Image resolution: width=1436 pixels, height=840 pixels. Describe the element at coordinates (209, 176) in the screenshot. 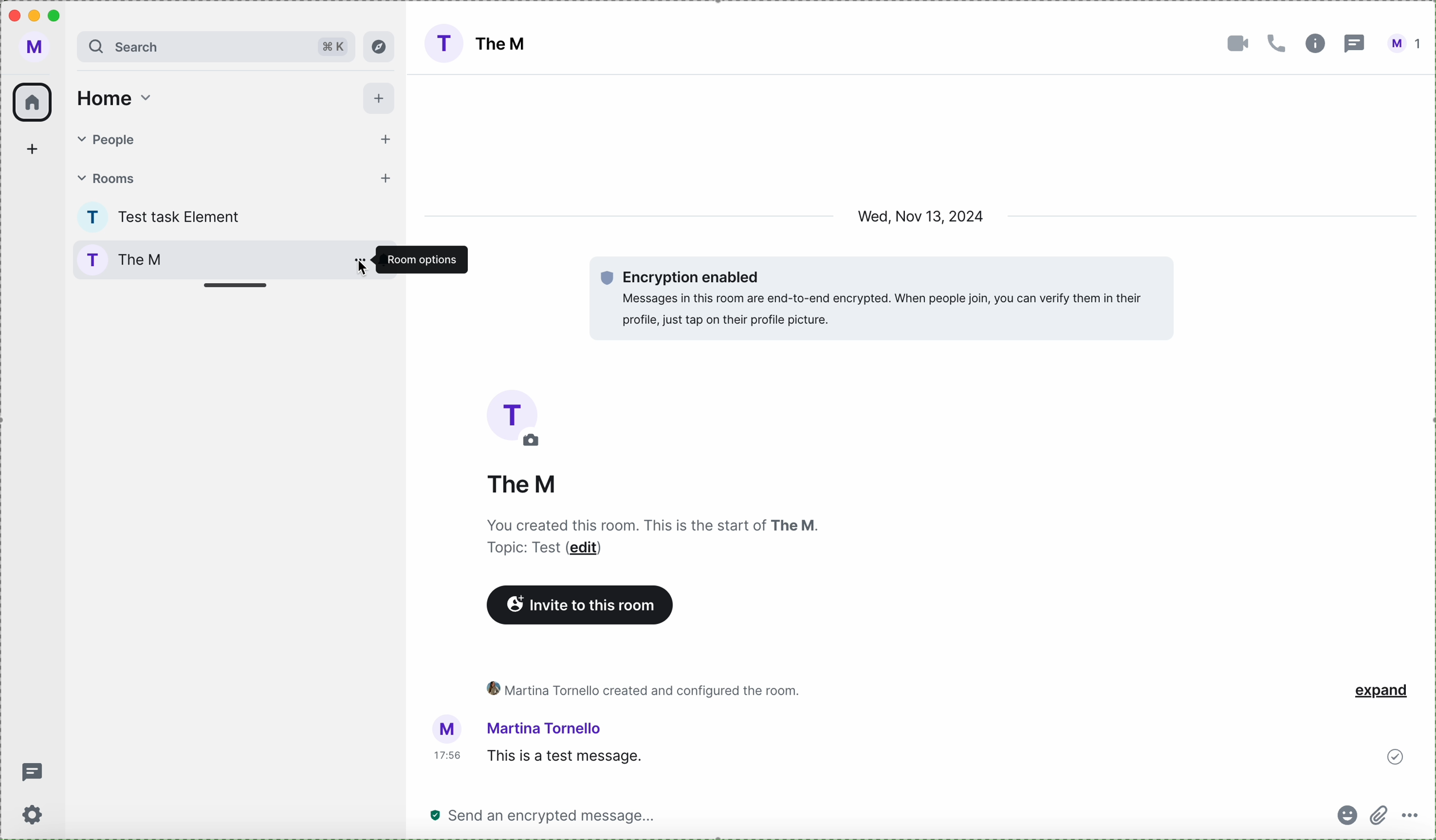

I see `rooms` at that location.